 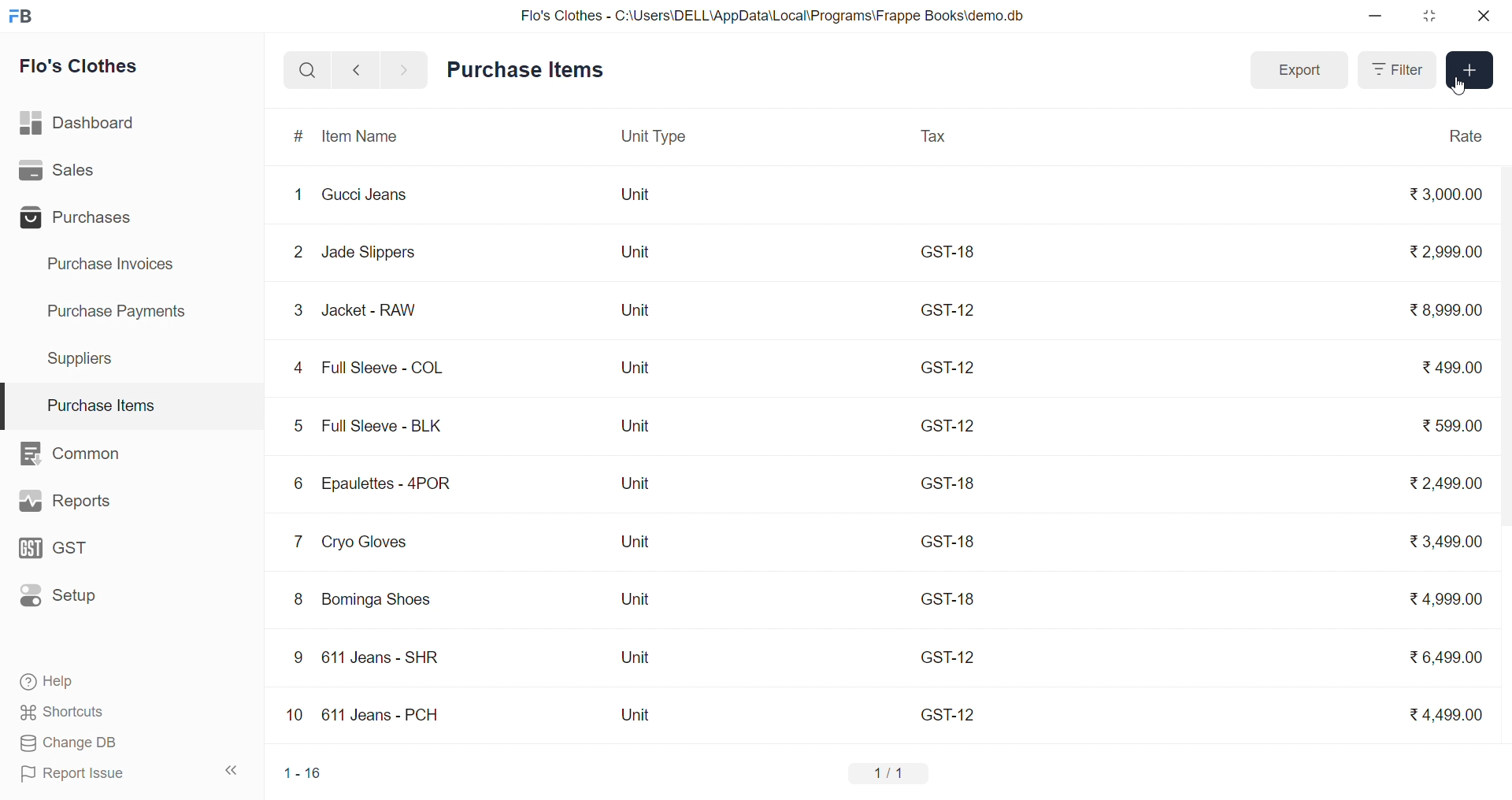 I want to click on GST-12, so click(x=947, y=711).